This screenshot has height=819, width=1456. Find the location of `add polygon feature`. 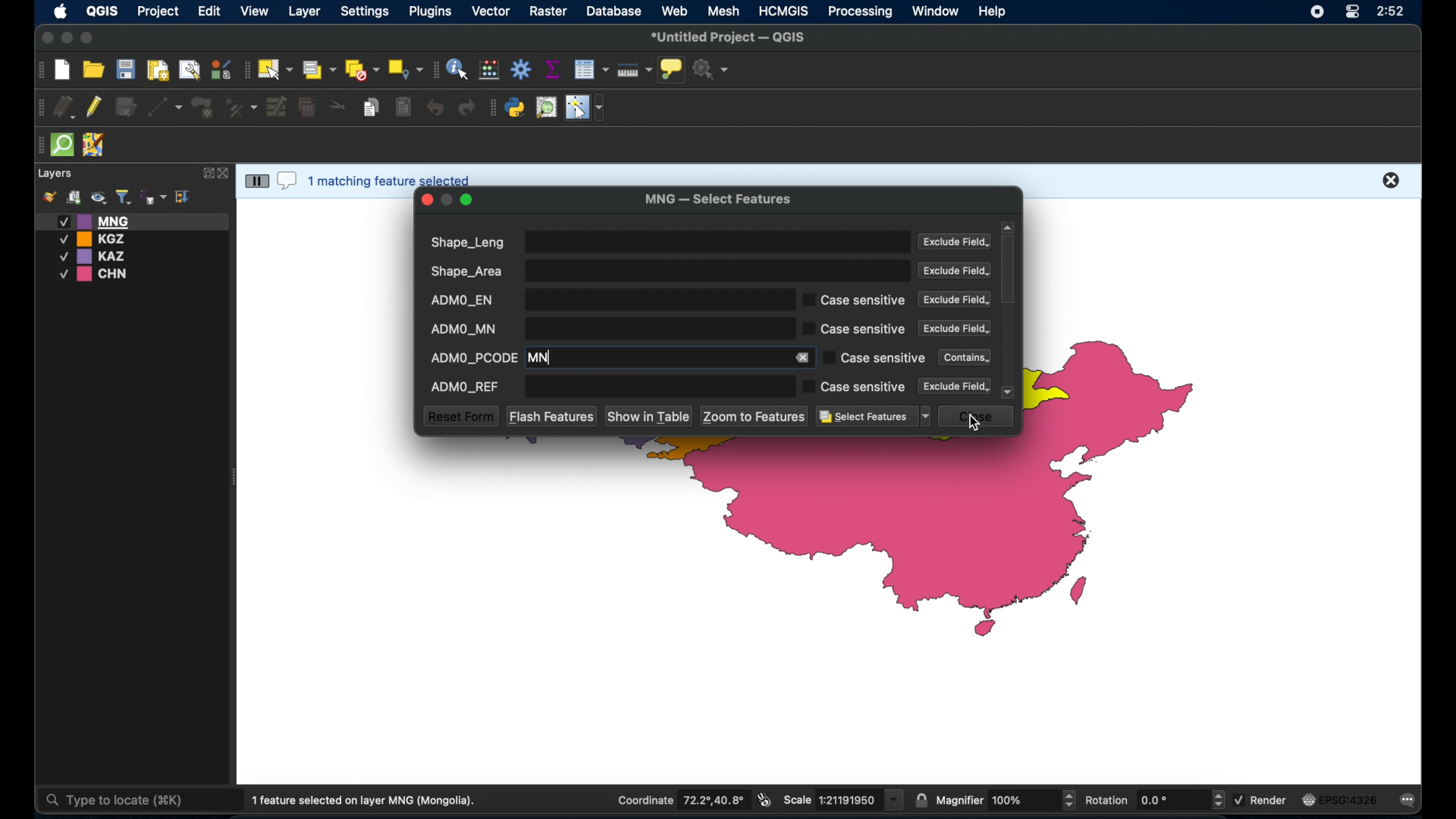

add polygon feature is located at coordinates (204, 106).